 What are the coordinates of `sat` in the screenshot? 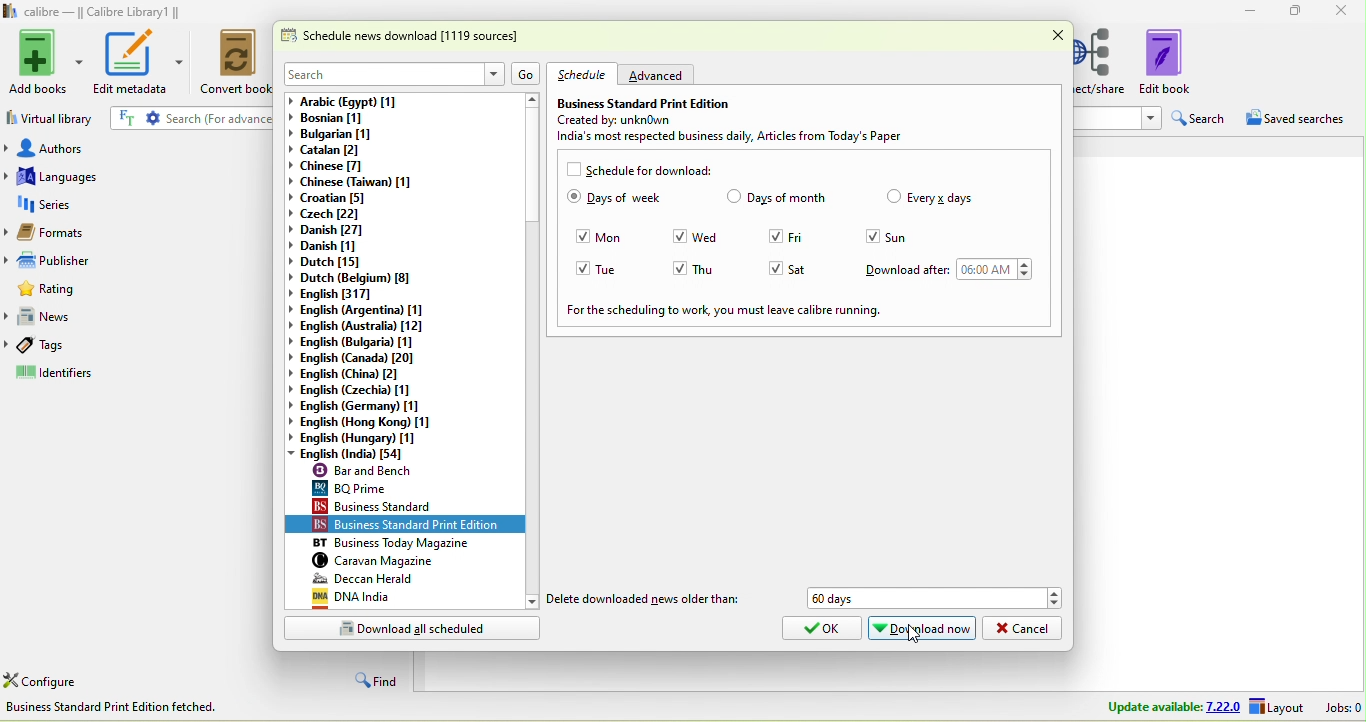 It's located at (812, 268).